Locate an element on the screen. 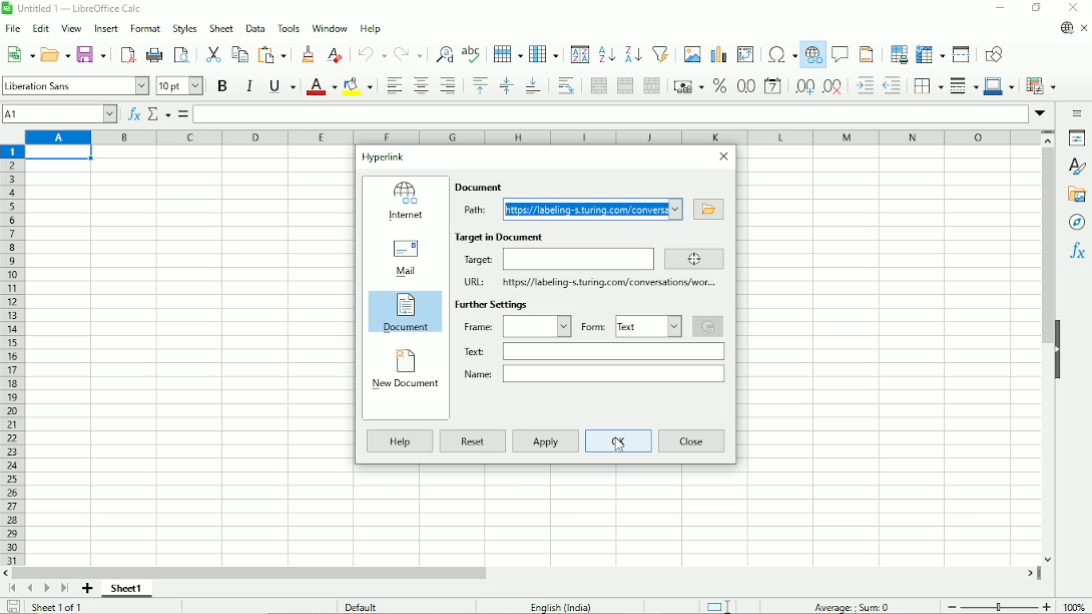  Align right is located at coordinates (447, 85).